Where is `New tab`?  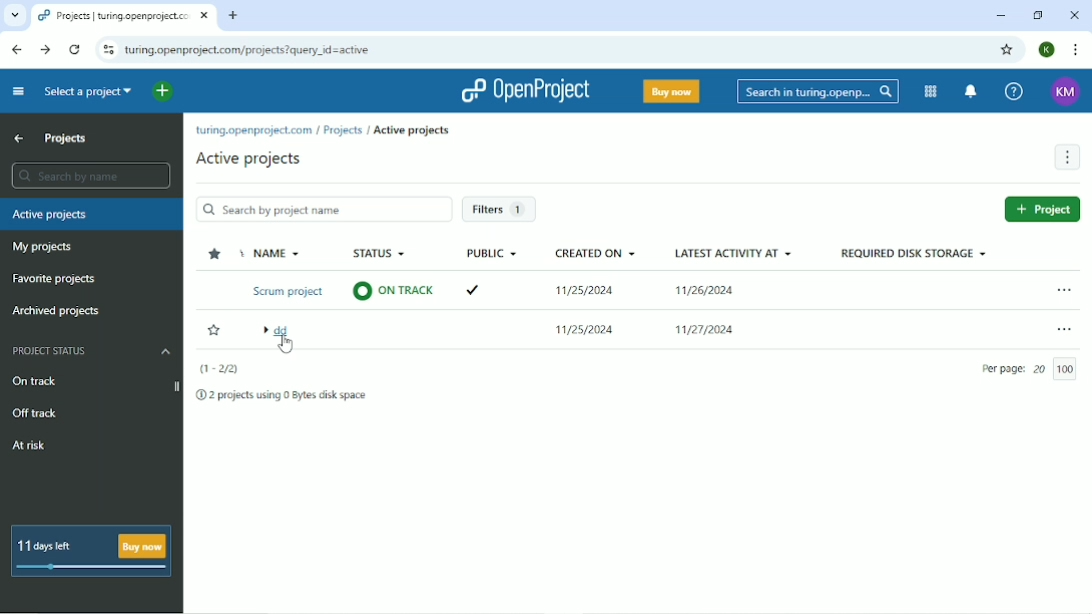 New tab is located at coordinates (233, 17).